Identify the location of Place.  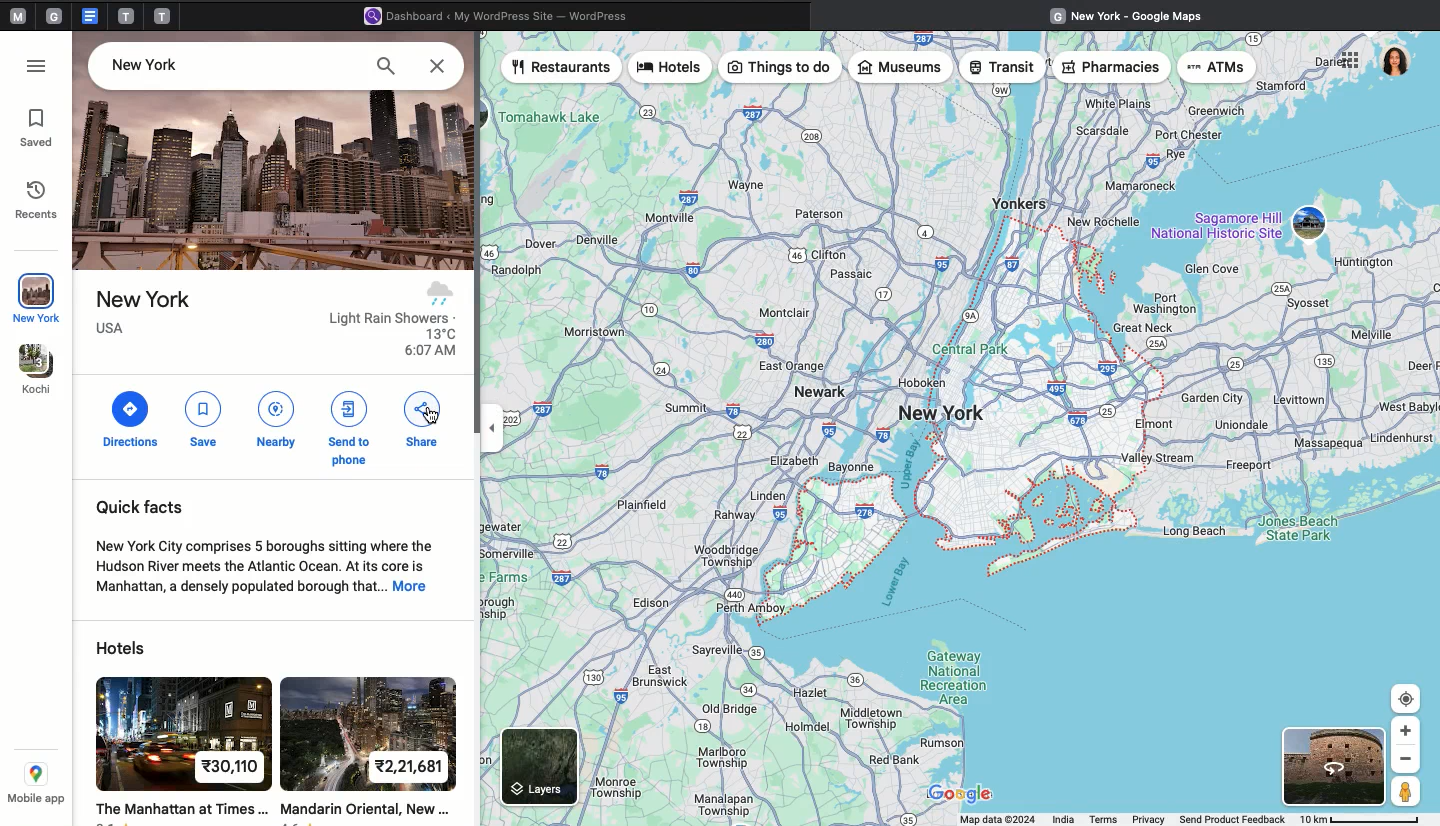
(278, 328).